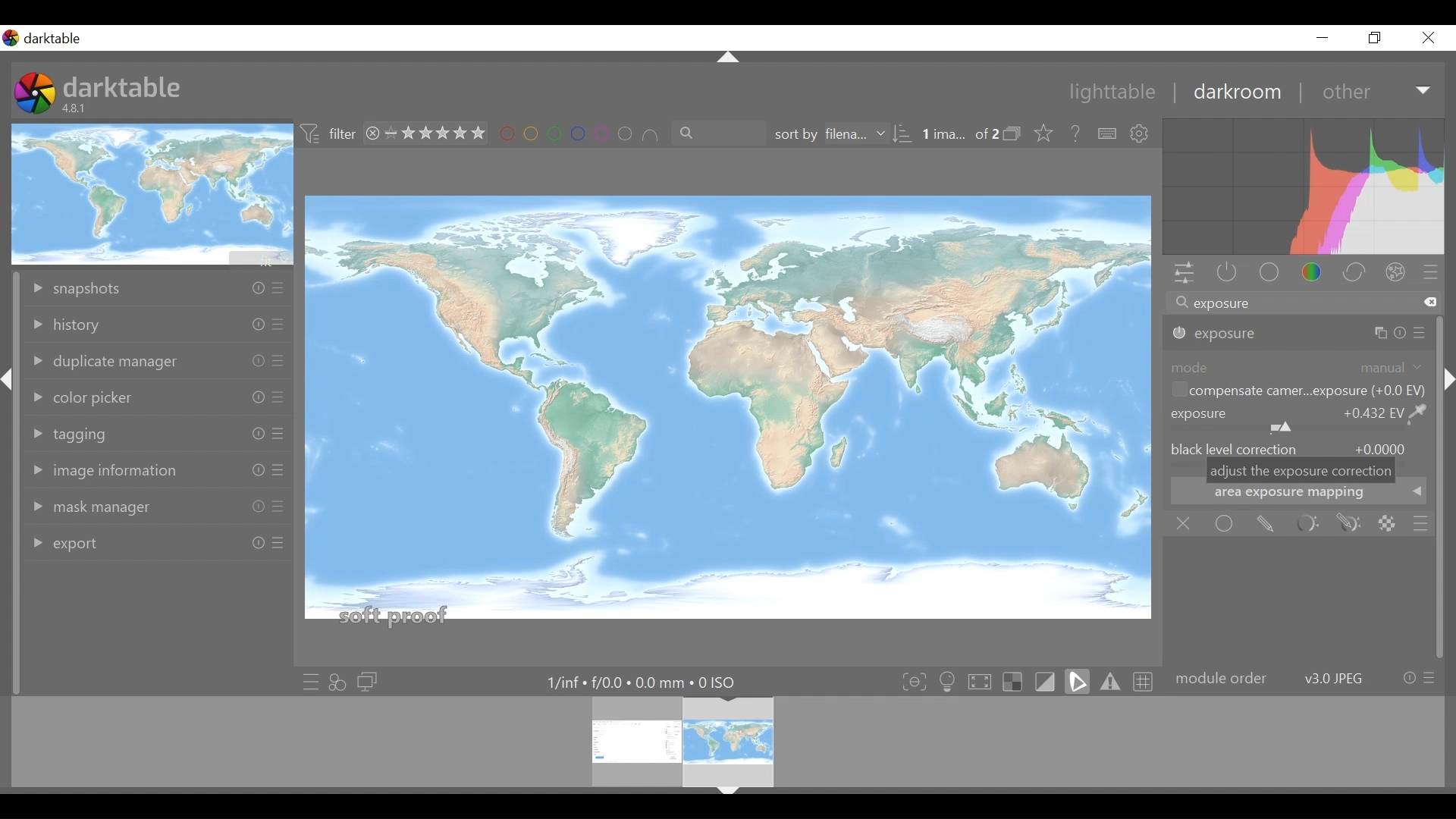 Image resolution: width=1456 pixels, height=819 pixels. What do you see at coordinates (723, 741) in the screenshot?
I see `filmstrip` at bounding box center [723, 741].